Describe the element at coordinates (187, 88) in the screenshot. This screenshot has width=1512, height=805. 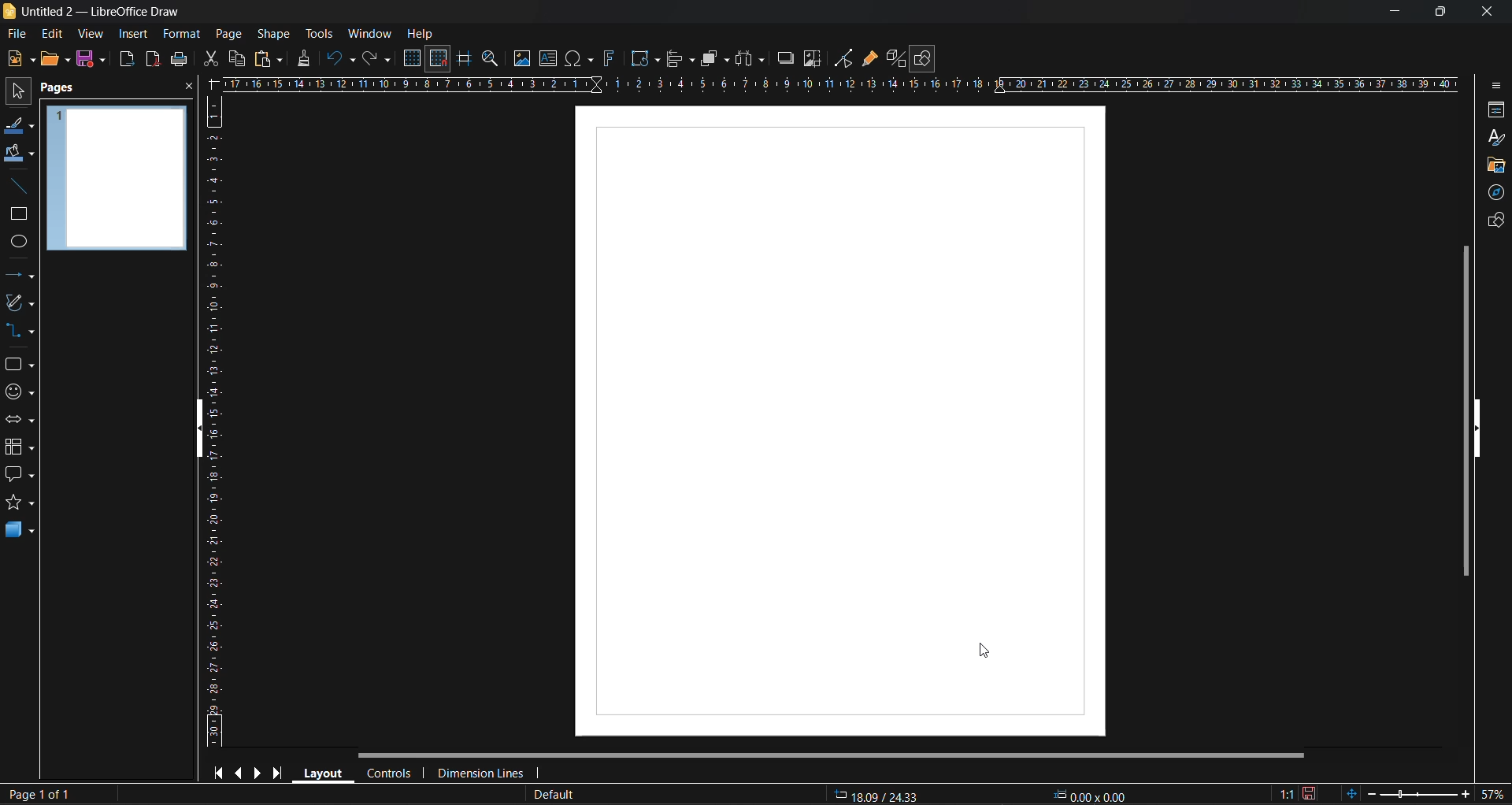
I see `close` at that location.